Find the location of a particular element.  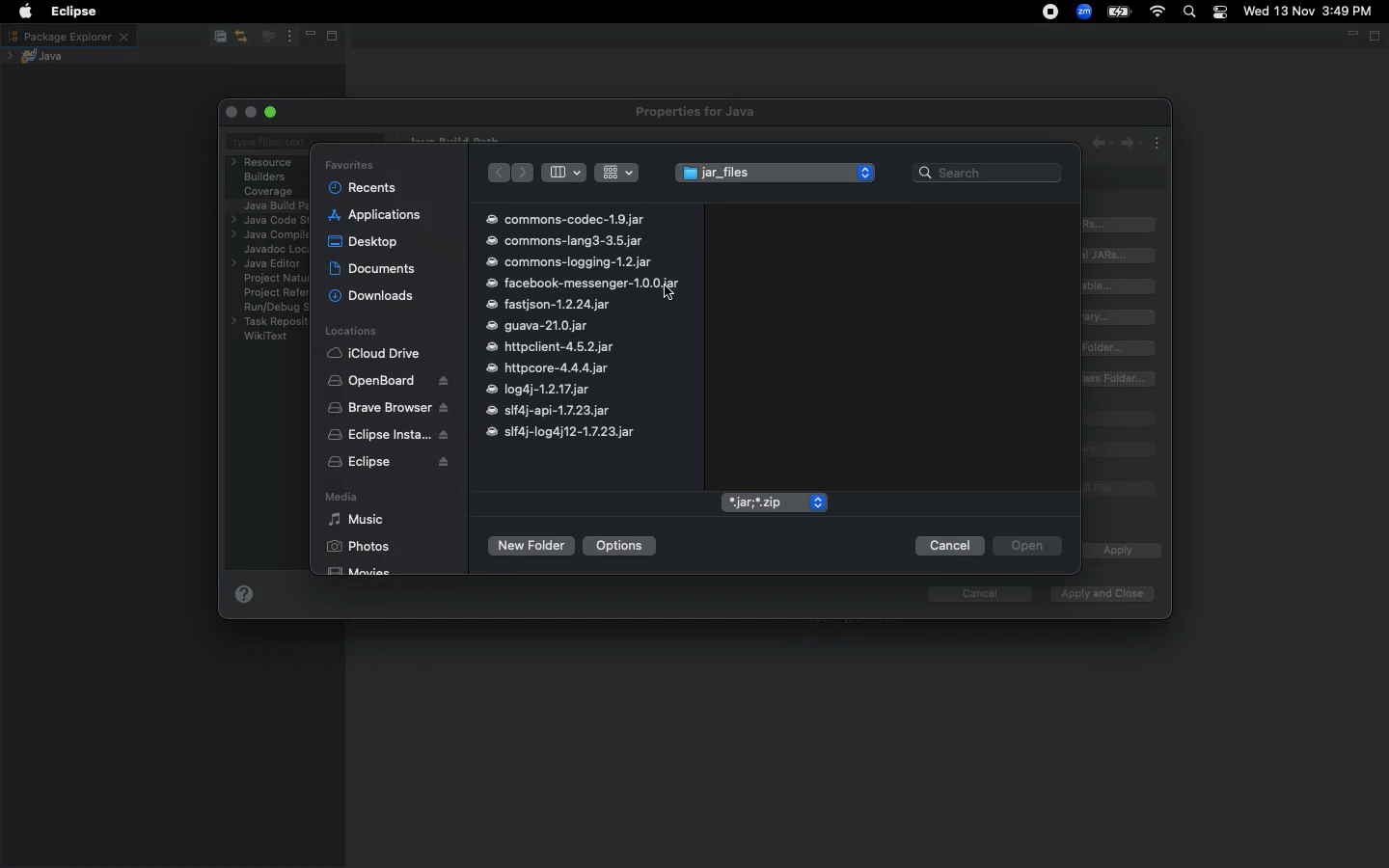

Eclipse is located at coordinates (69, 12).